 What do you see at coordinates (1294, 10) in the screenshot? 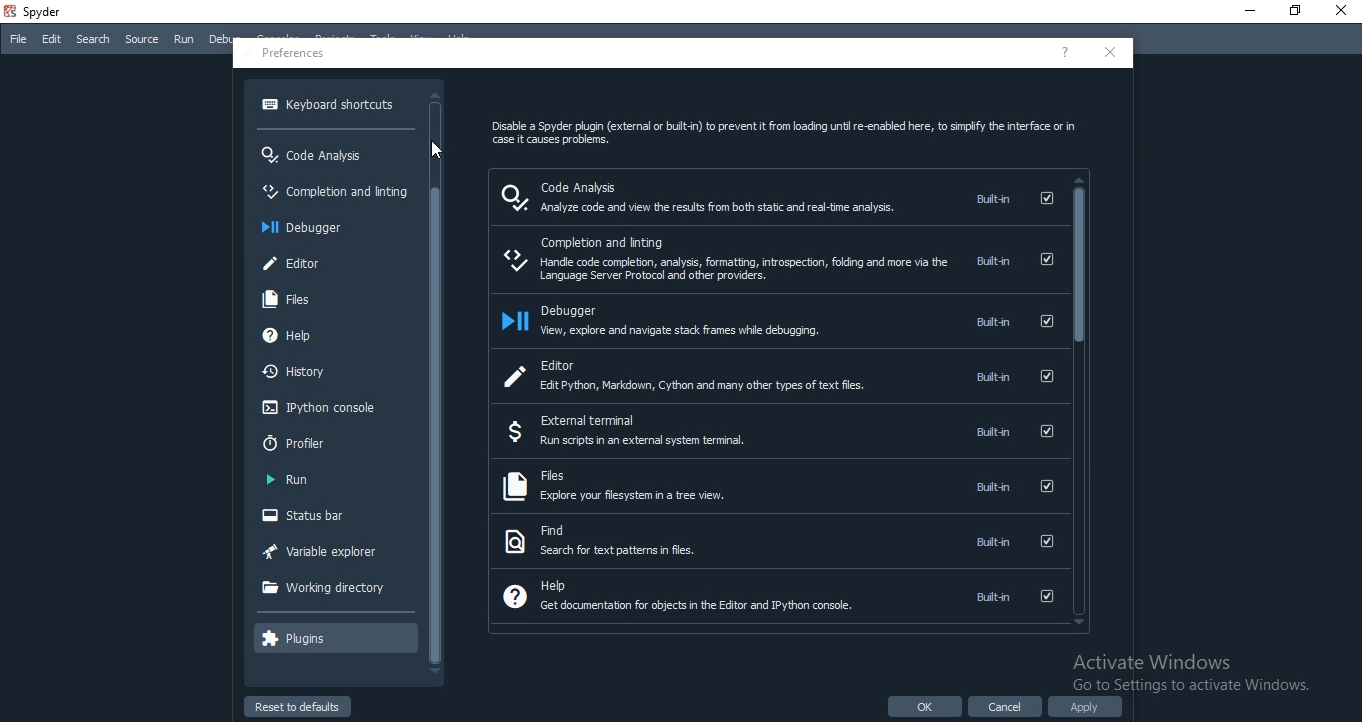
I see `Restore` at bounding box center [1294, 10].